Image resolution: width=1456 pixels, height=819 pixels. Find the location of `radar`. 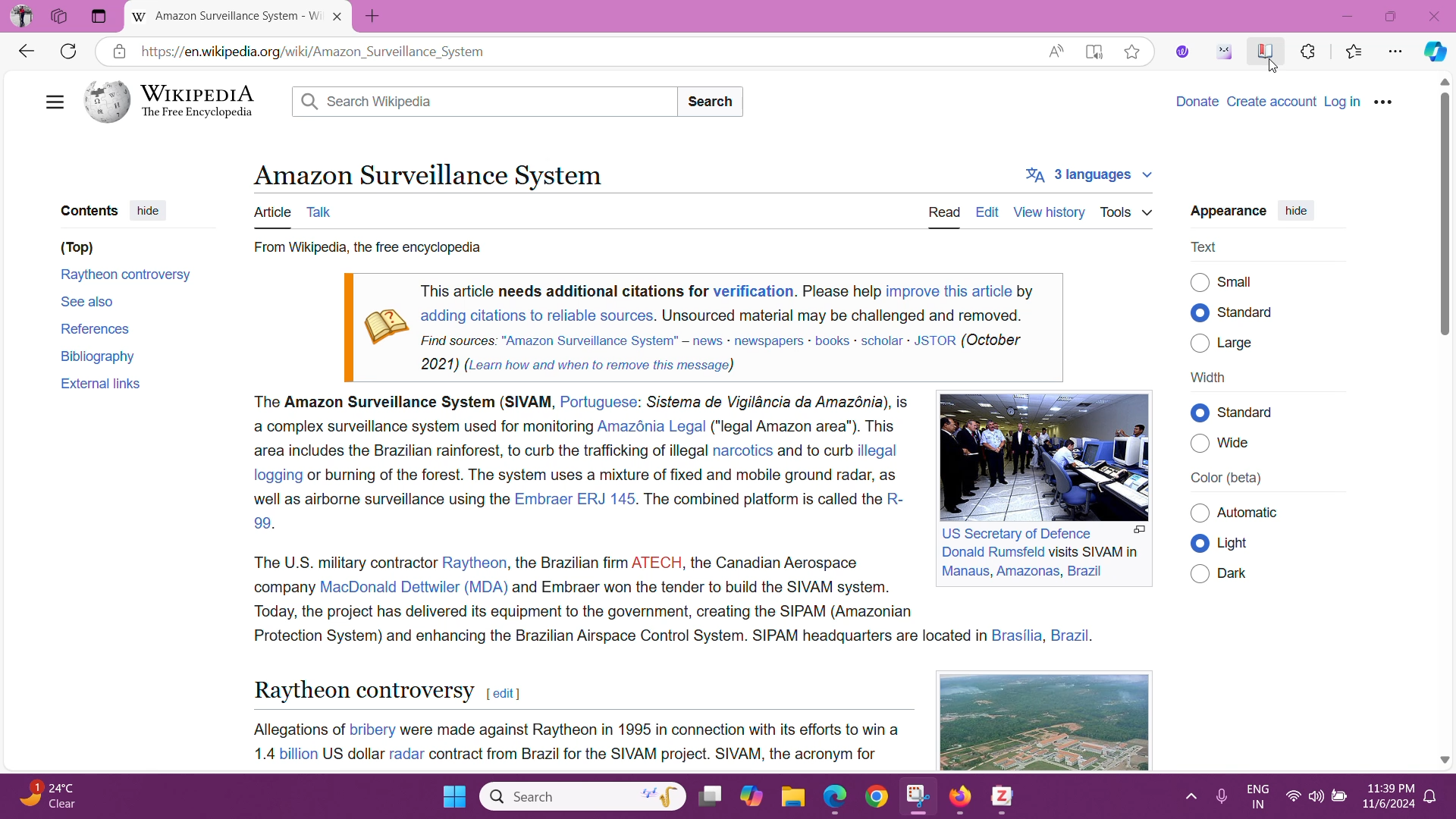

radar is located at coordinates (406, 753).